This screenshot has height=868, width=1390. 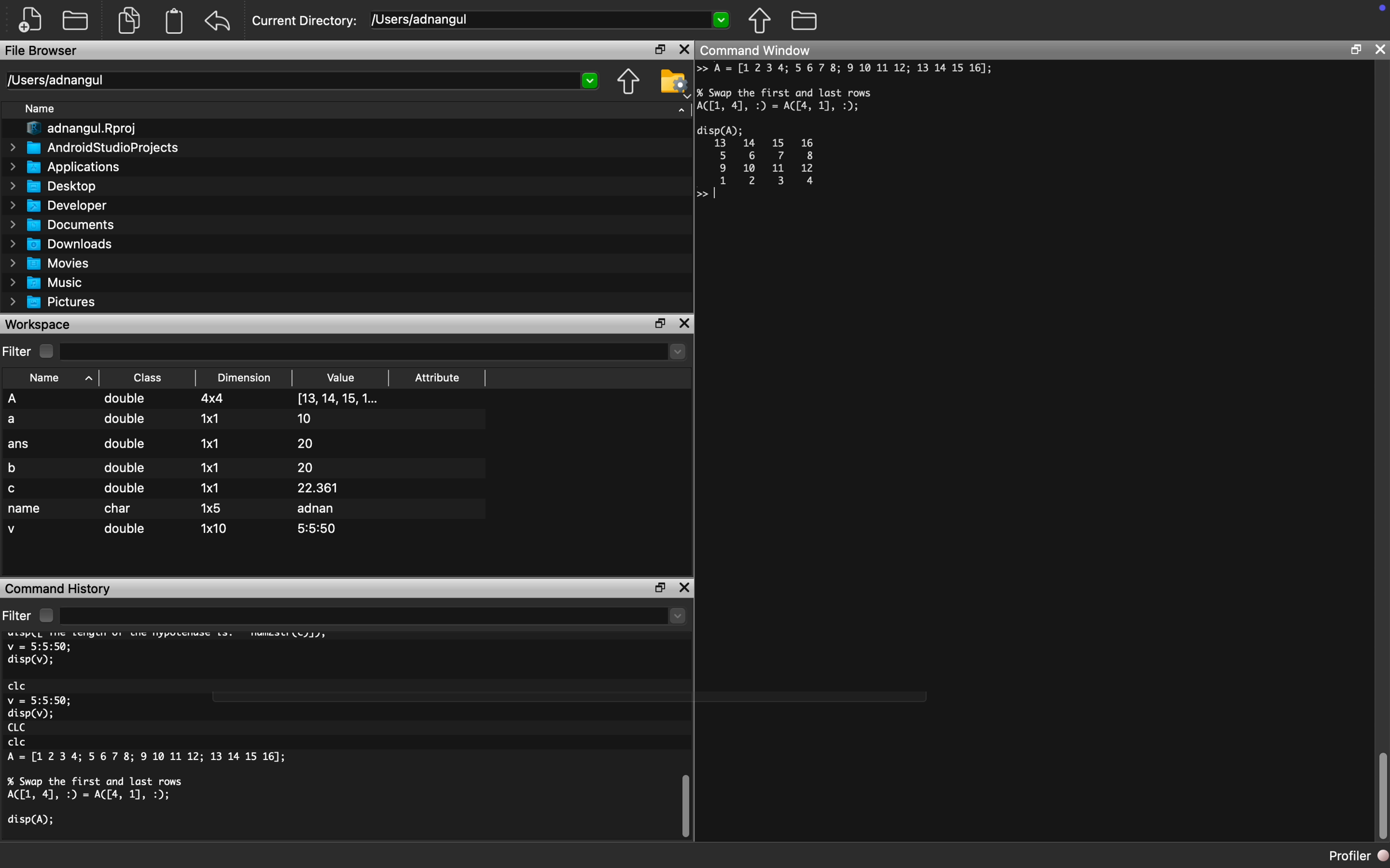 What do you see at coordinates (33, 614) in the screenshot?
I see `Filter` at bounding box center [33, 614].